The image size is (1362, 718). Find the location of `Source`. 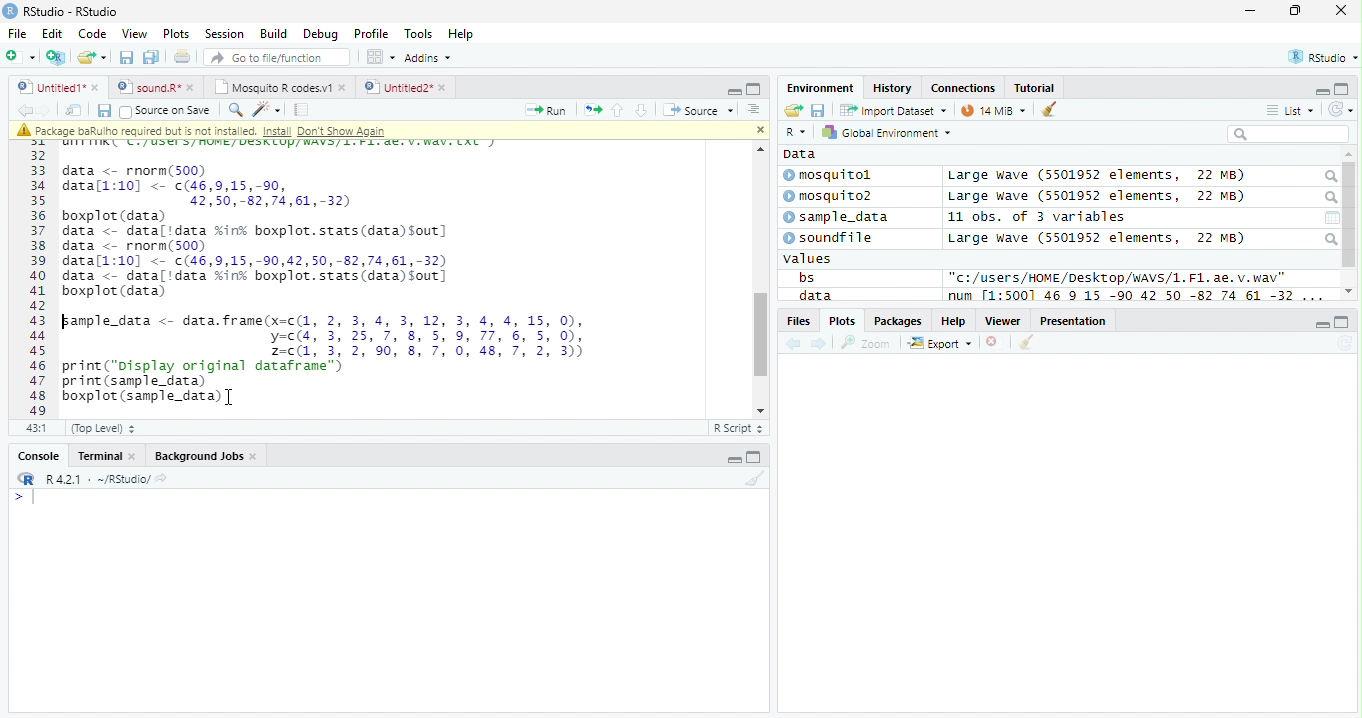

Source is located at coordinates (700, 109).